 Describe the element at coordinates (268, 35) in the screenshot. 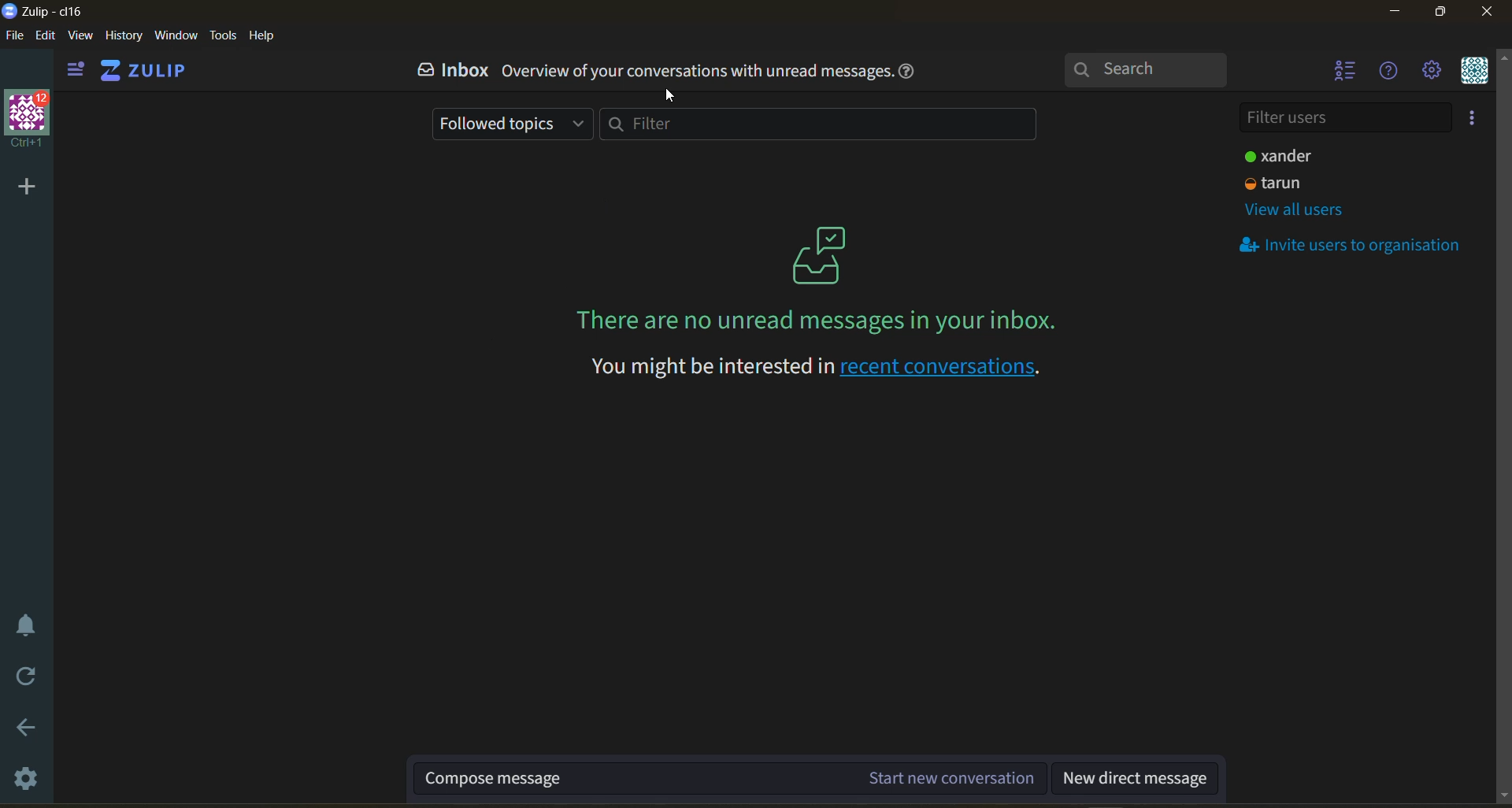

I see `help` at that location.